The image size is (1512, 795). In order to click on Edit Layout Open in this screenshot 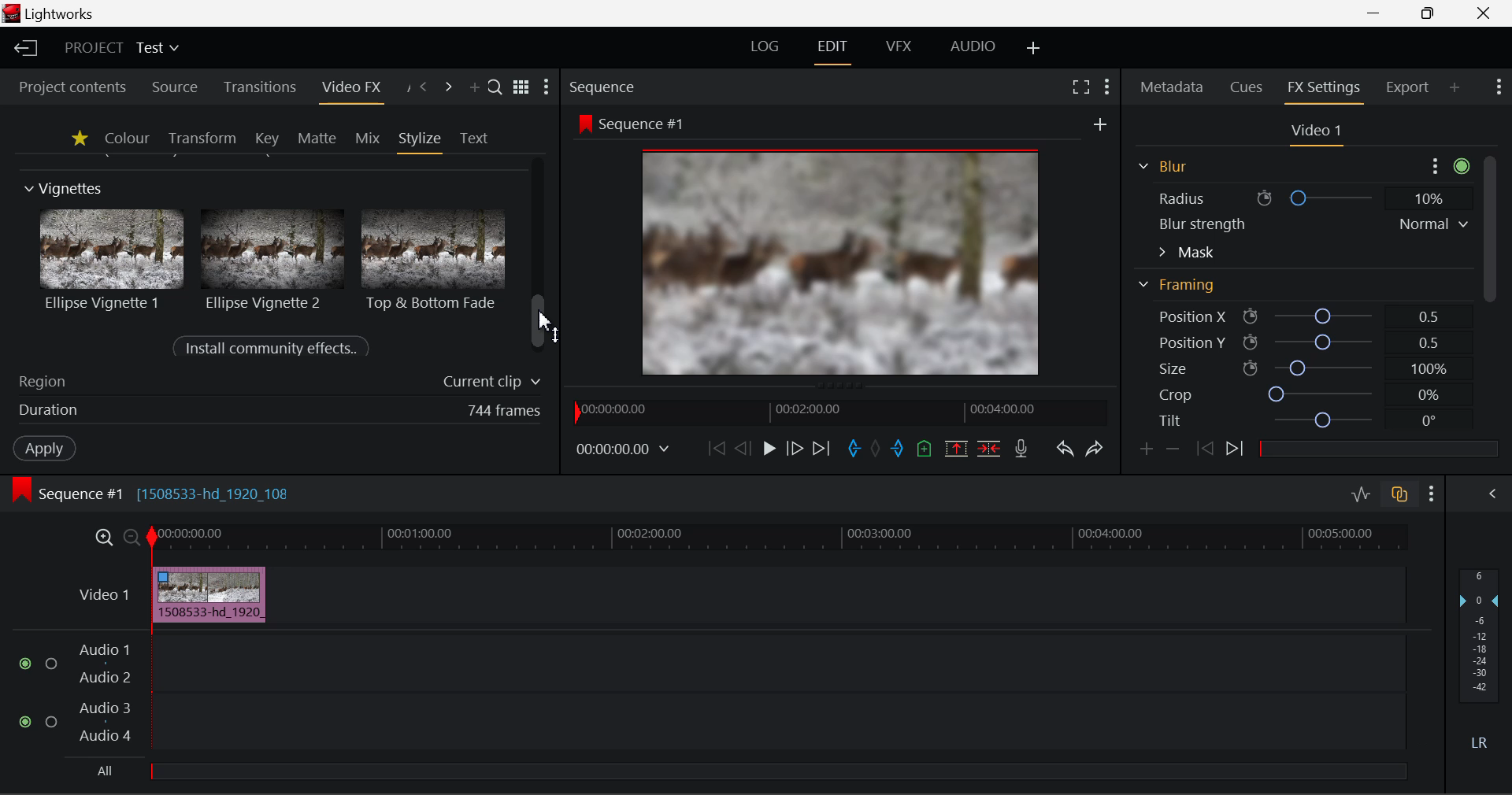, I will do `click(836, 49)`.